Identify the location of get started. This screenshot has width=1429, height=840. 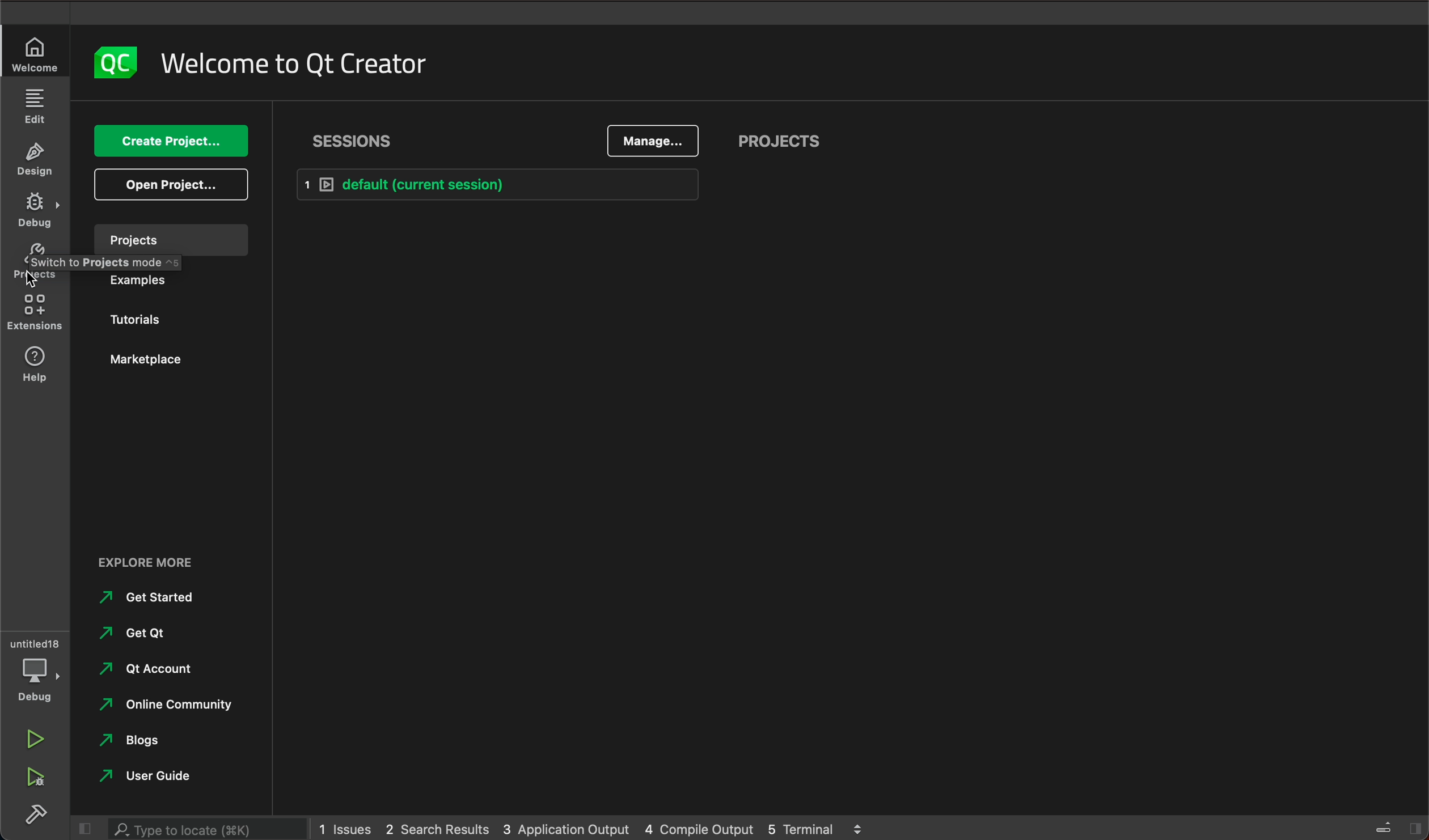
(145, 599).